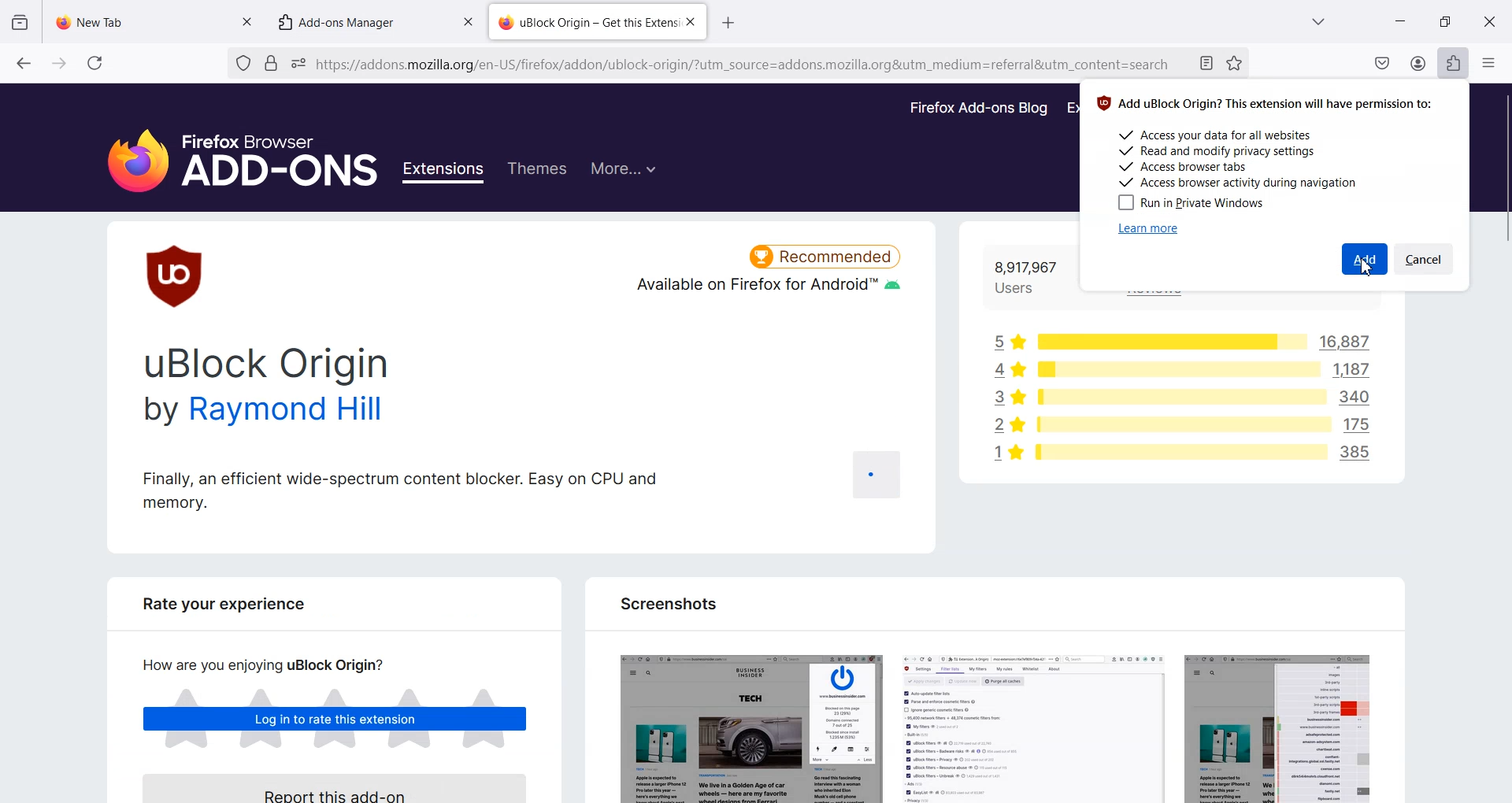  Describe the element at coordinates (1178, 371) in the screenshot. I see `rating bar` at that location.